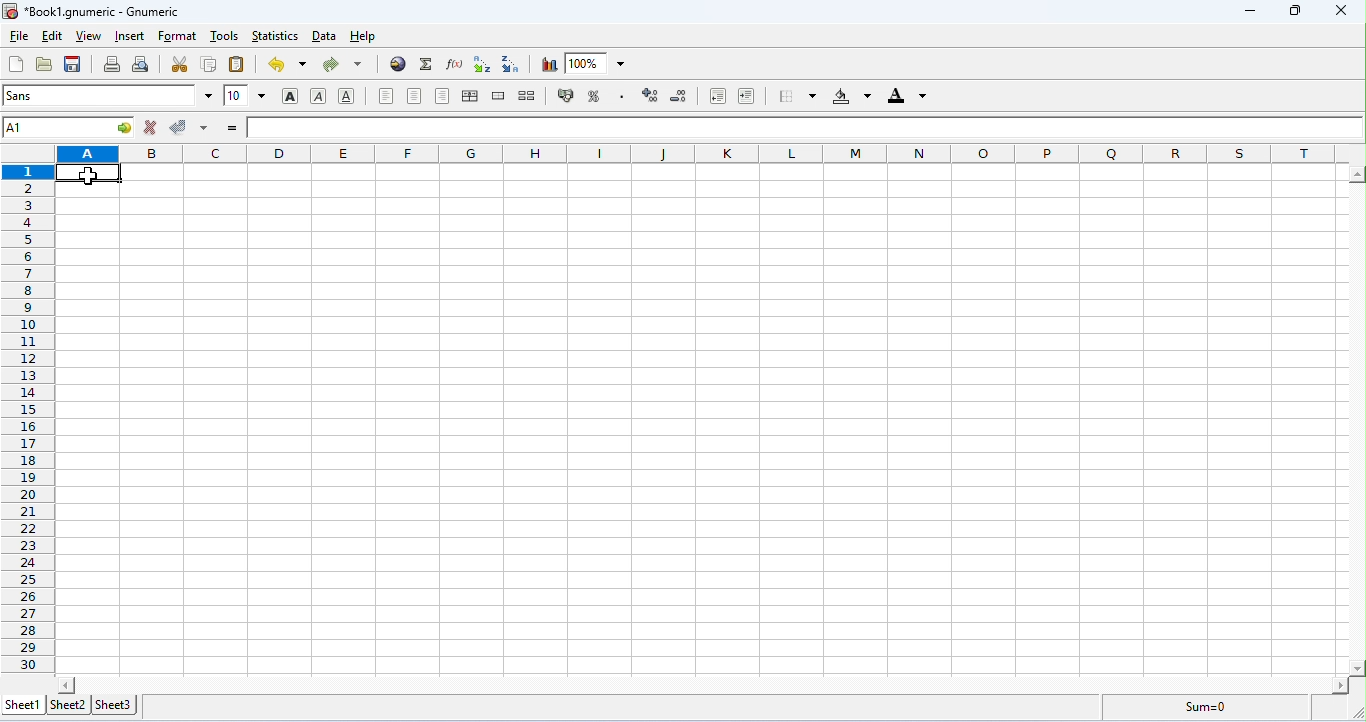 The height and width of the screenshot is (722, 1366). What do you see at coordinates (597, 62) in the screenshot?
I see `zoom` at bounding box center [597, 62].